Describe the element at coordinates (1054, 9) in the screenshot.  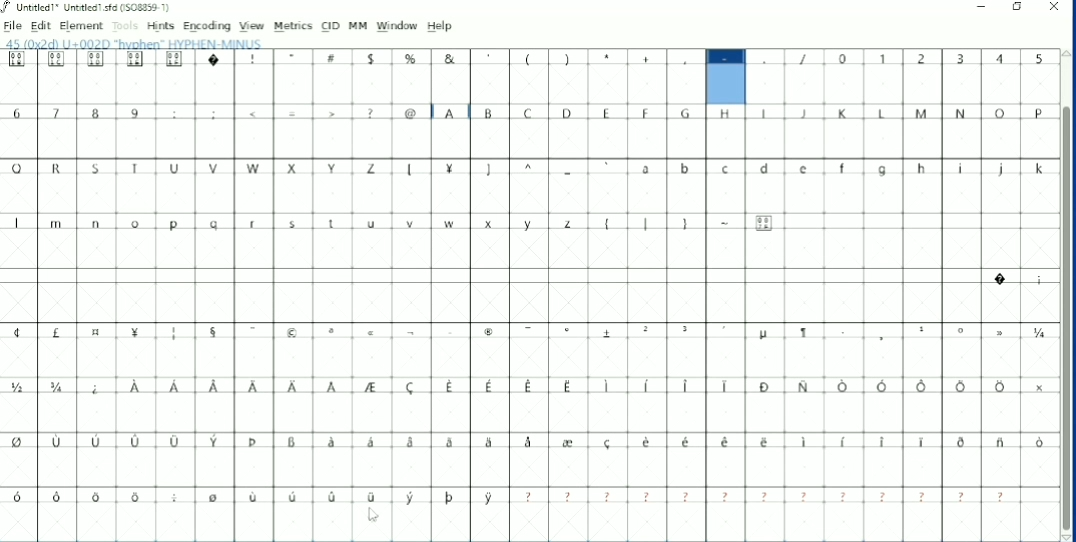
I see `Close` at that location.